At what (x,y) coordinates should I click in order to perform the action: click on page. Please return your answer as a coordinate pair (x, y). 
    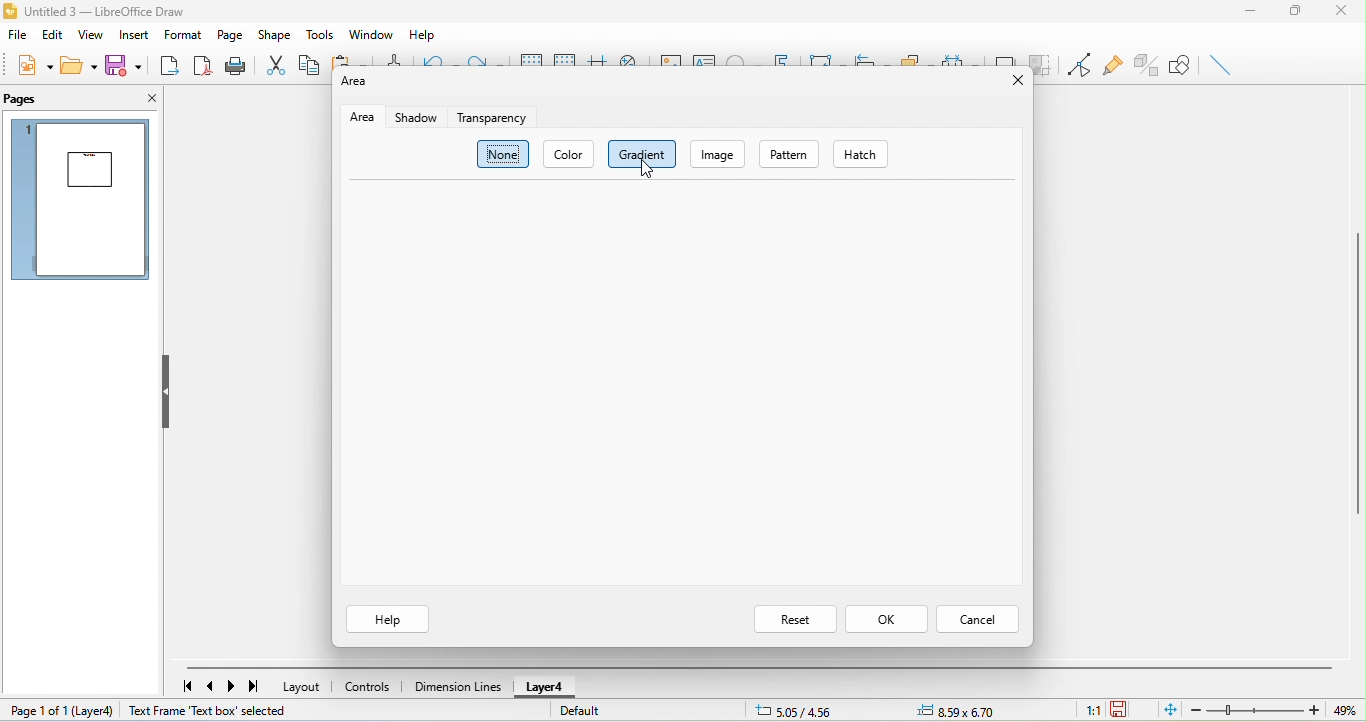
    Looking at the image, I should click on (228, 34).